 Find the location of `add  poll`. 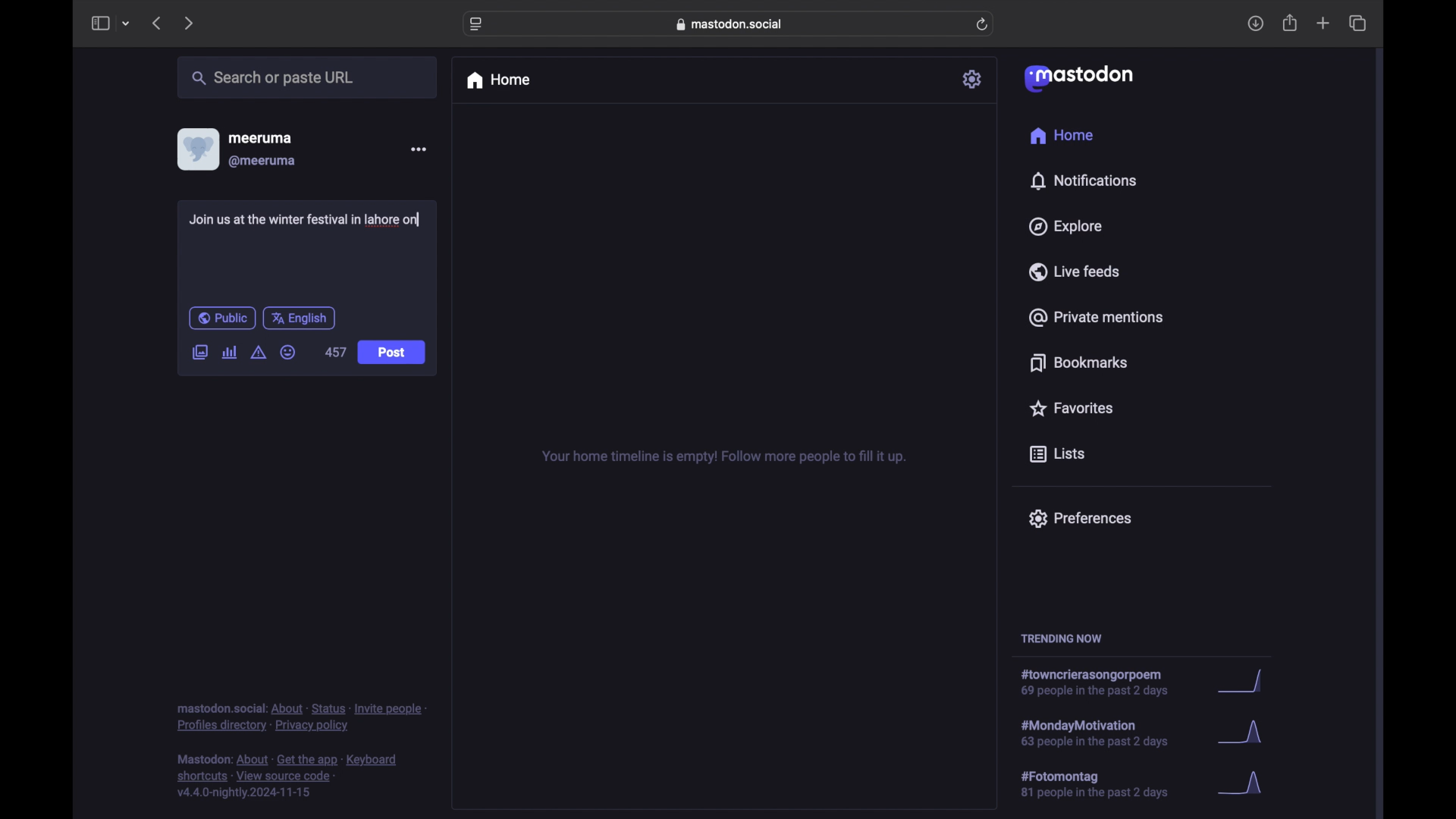

add  poll is located at coordinates (229, 352).